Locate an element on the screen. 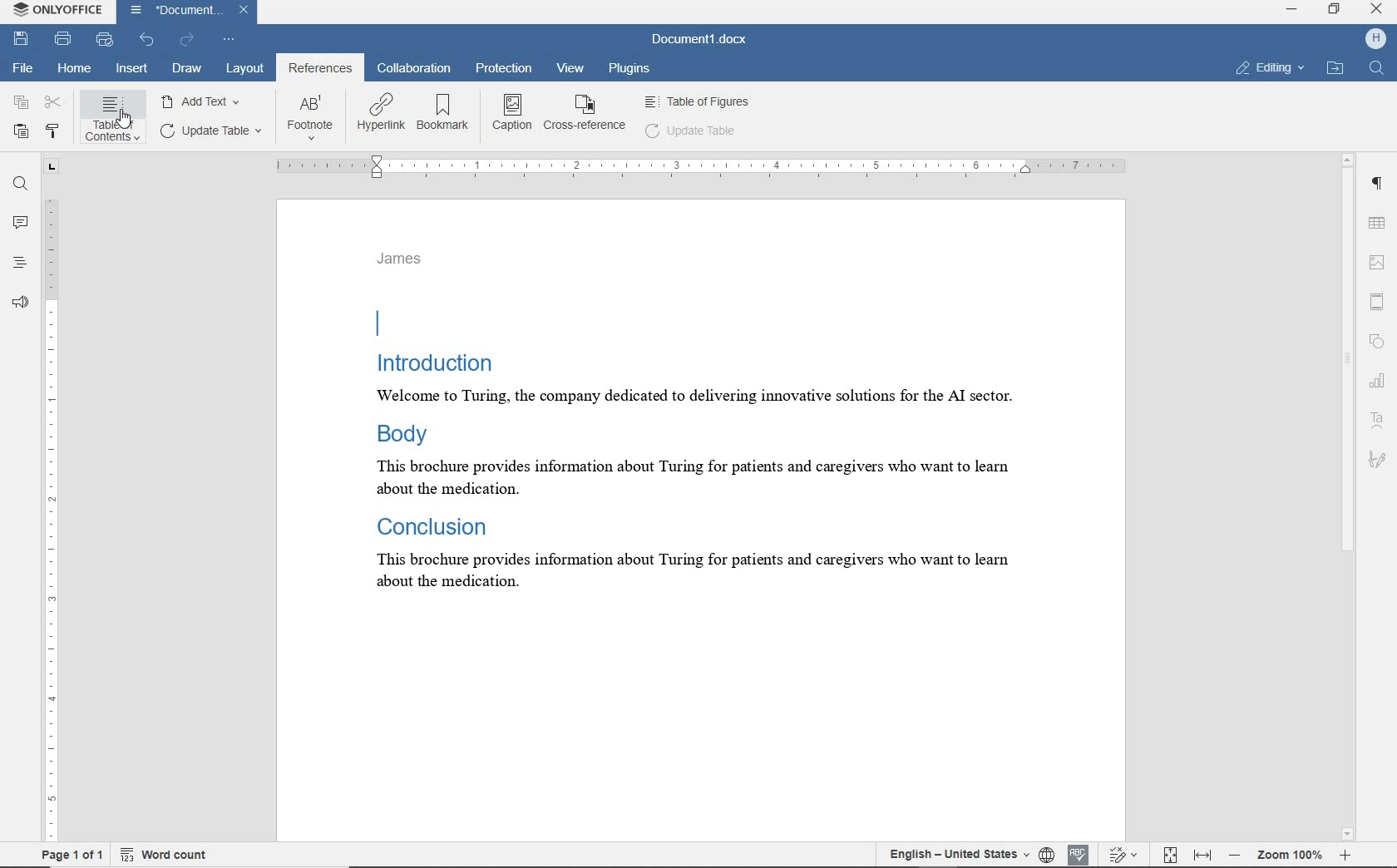 The height and width of the screenshot is (868, 1397). collaboration is located at coordinates (413, 68).